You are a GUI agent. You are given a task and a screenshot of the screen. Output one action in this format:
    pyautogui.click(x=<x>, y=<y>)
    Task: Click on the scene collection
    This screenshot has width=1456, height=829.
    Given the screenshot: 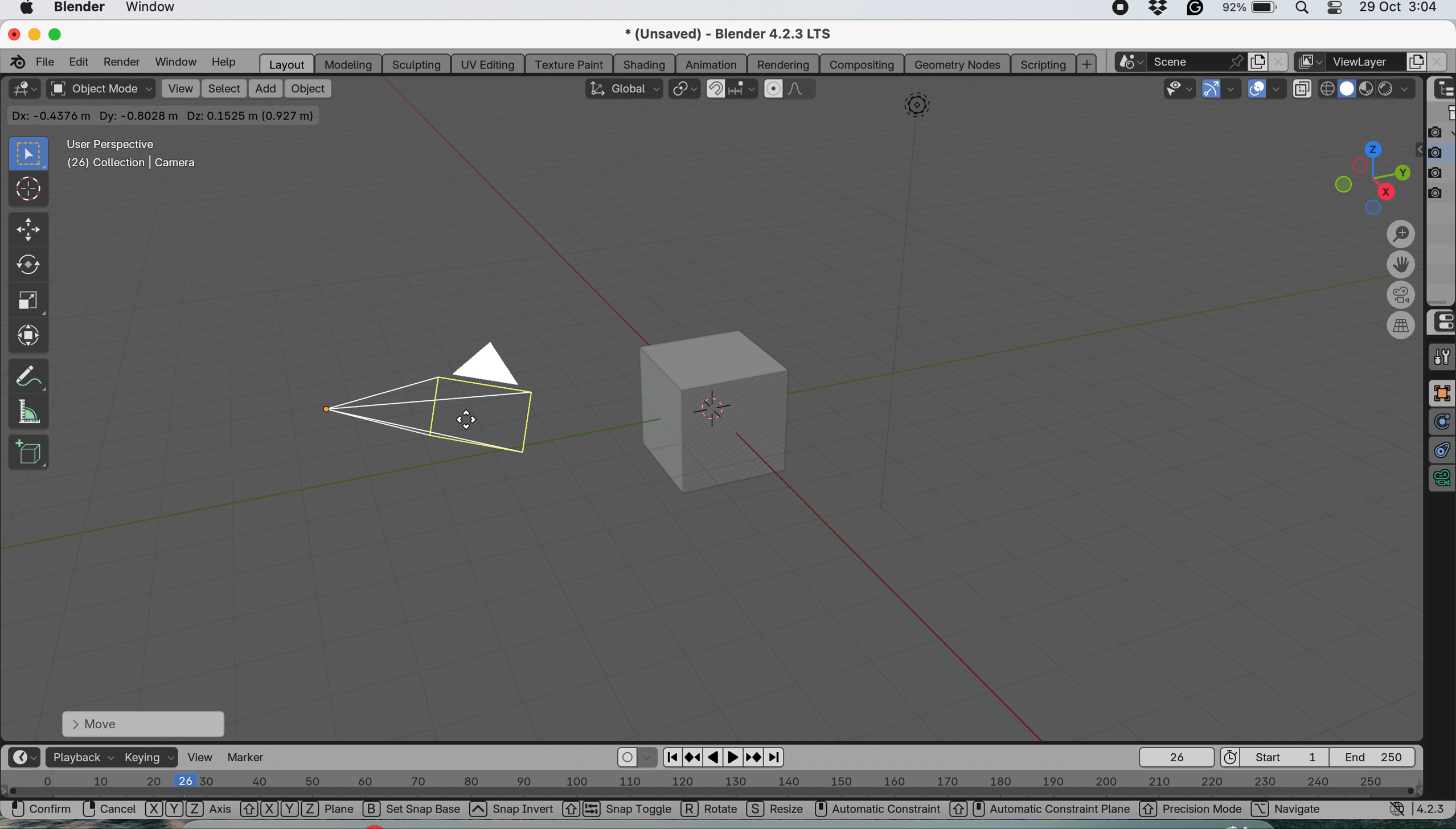 What is the action you would take?
    pyautogui.click(x=1442, y=114)
    